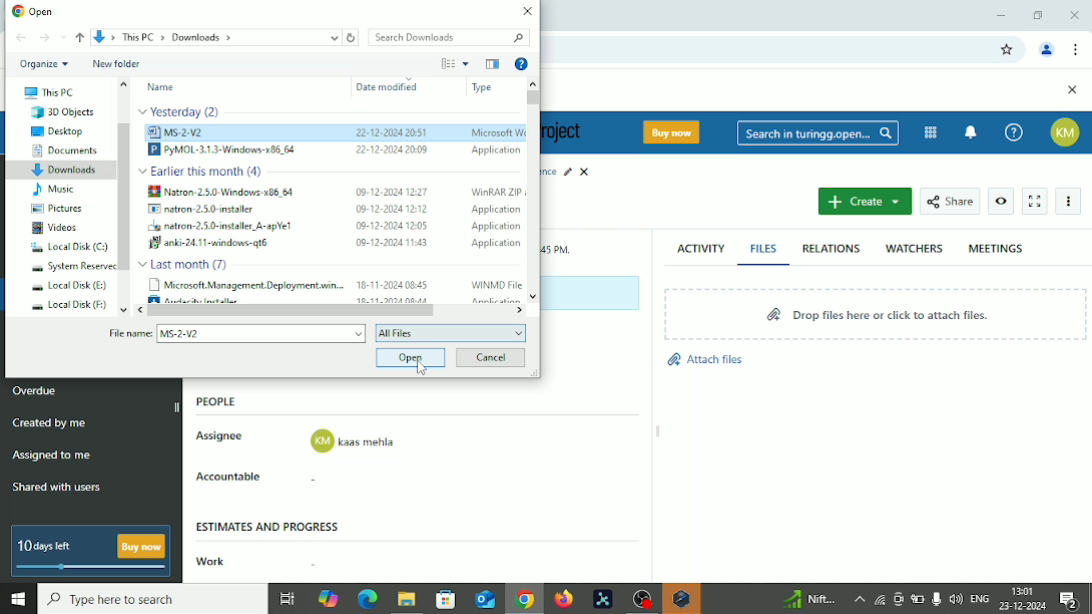 Image resolution: width=1092 pixels, height=614 pixels. Describe the element at coordinates (603, 600) in the screenshot. I see `Pymol` at that location.